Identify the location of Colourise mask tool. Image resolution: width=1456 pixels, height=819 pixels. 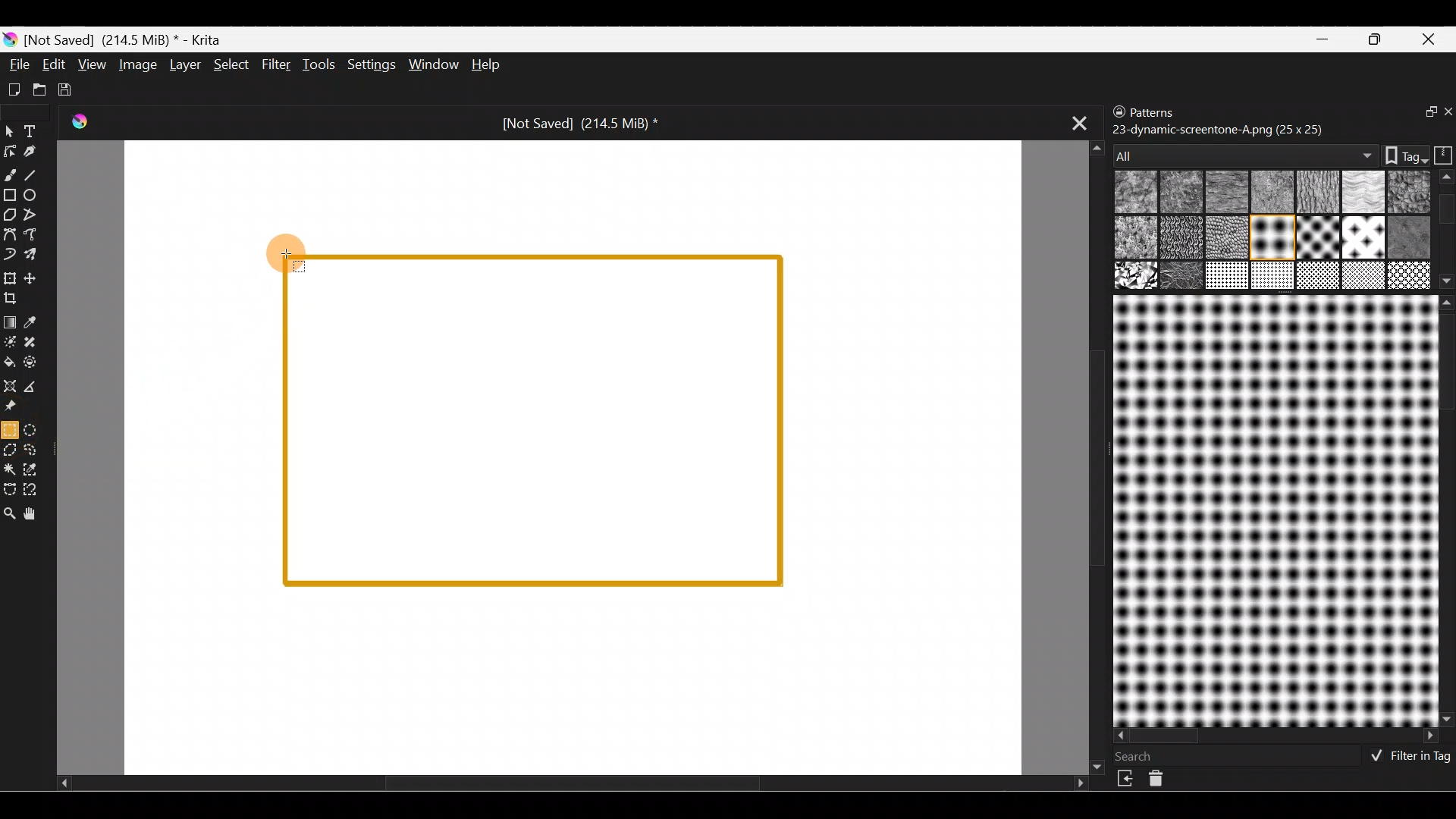
(9, 341).